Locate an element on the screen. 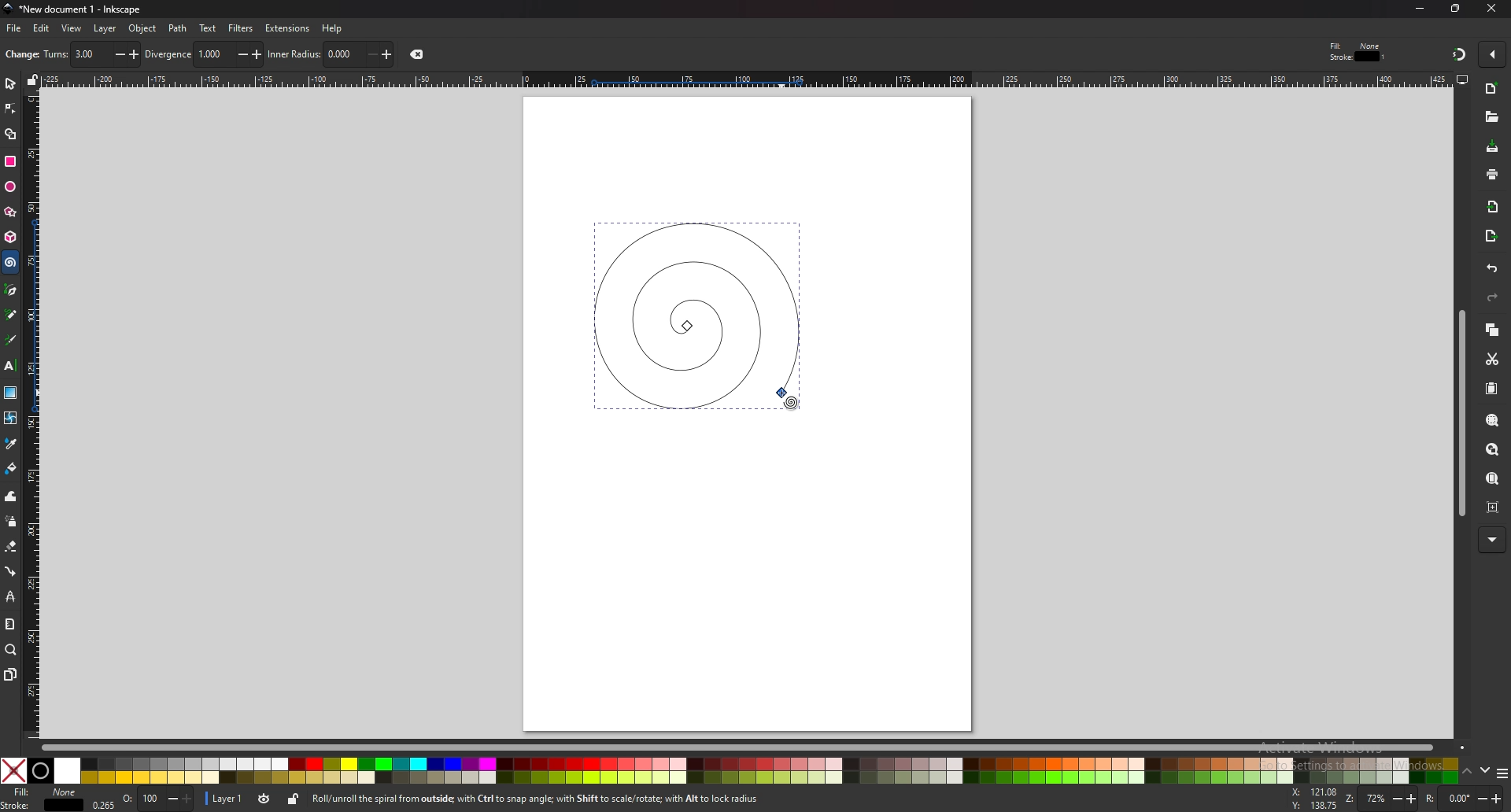 Image resolution: width=1511 pixels, height=812 pixels. close is located at coordinates (1491, 9).